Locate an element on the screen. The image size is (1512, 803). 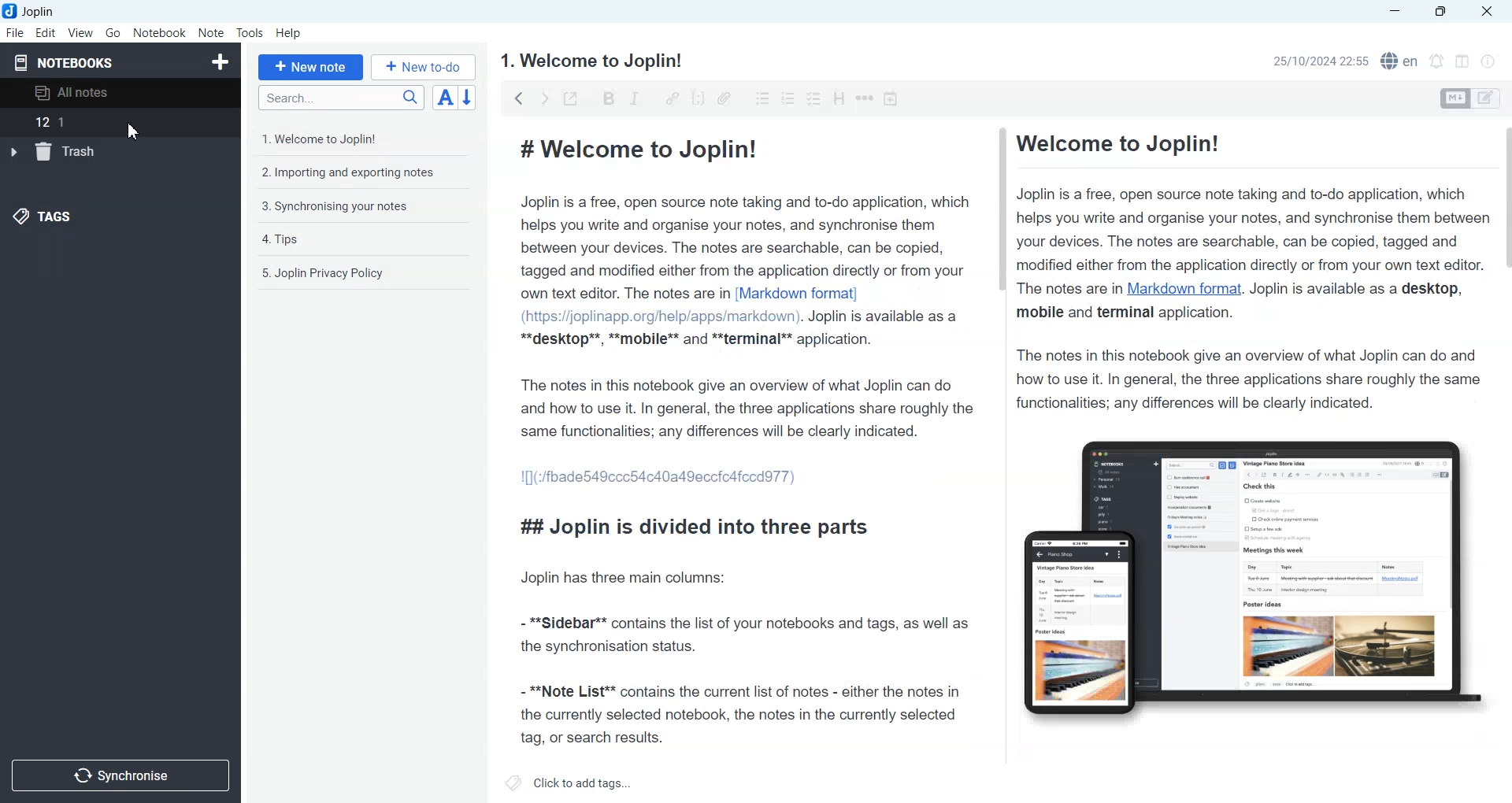
Edit is located at coordinates (46, 32).